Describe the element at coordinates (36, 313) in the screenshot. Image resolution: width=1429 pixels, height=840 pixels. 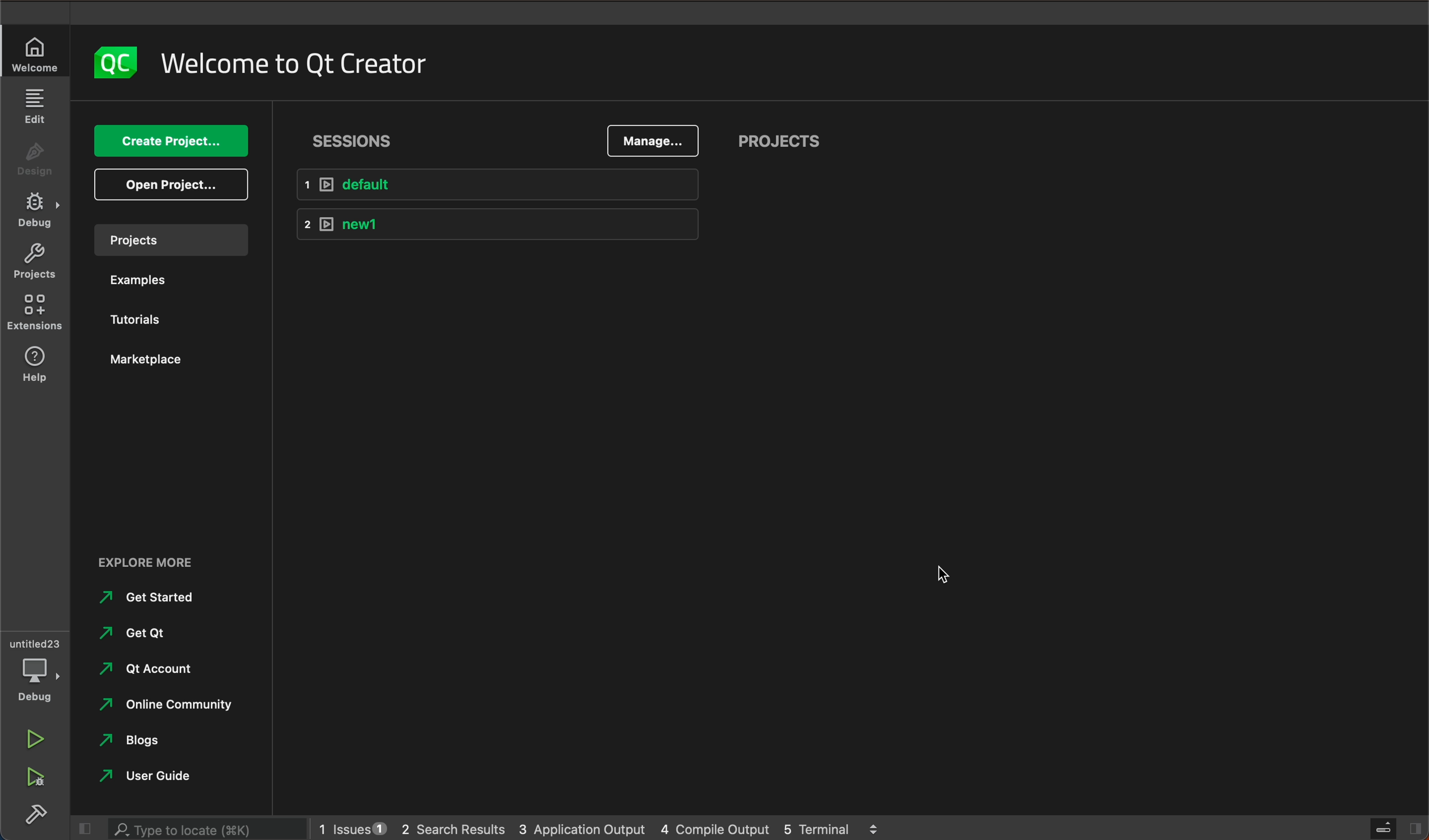
I see `Extensions` at that location.